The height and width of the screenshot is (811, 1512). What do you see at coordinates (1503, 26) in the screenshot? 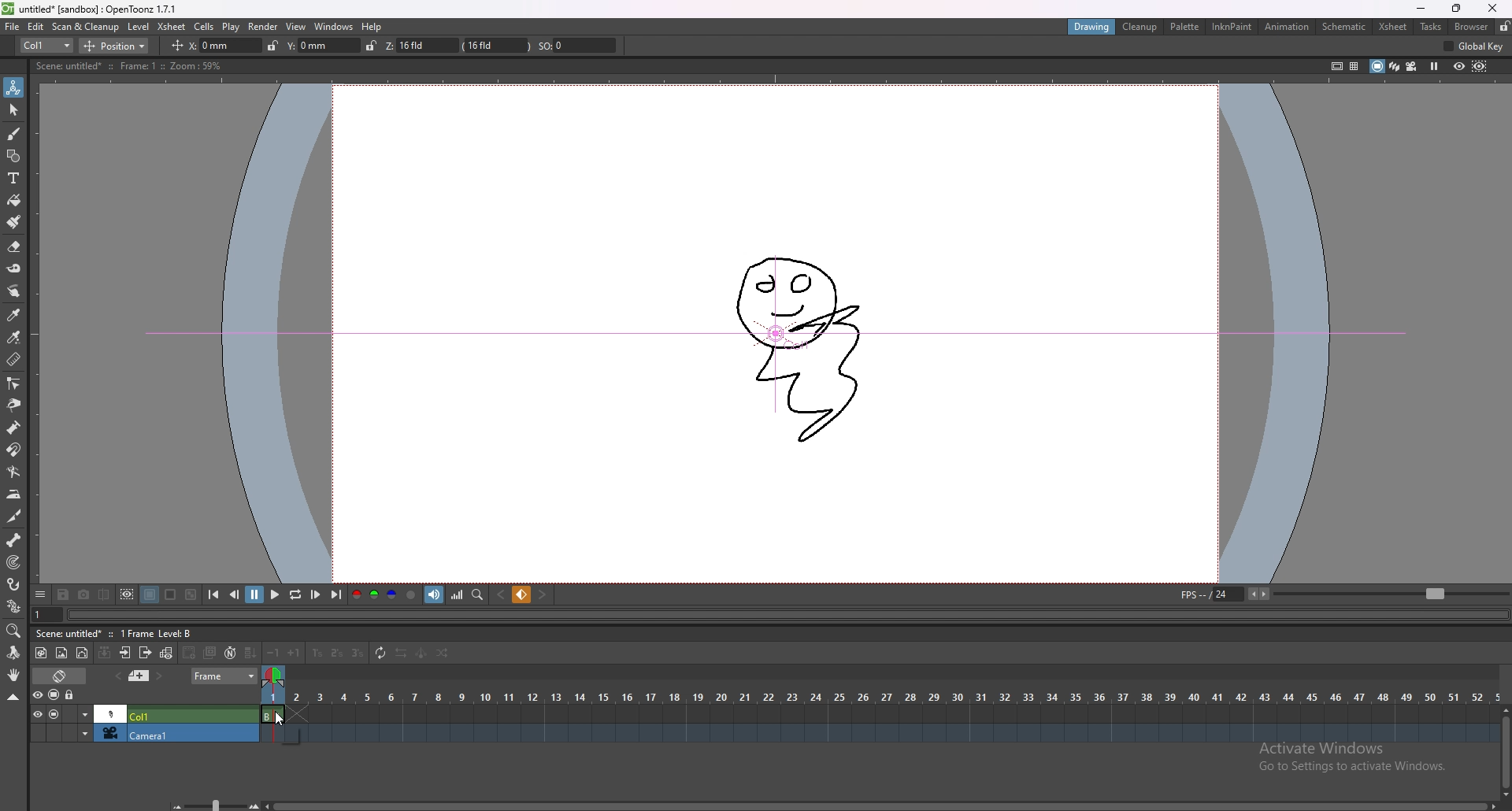
I see `lock` at bounding box center [1503, 26].